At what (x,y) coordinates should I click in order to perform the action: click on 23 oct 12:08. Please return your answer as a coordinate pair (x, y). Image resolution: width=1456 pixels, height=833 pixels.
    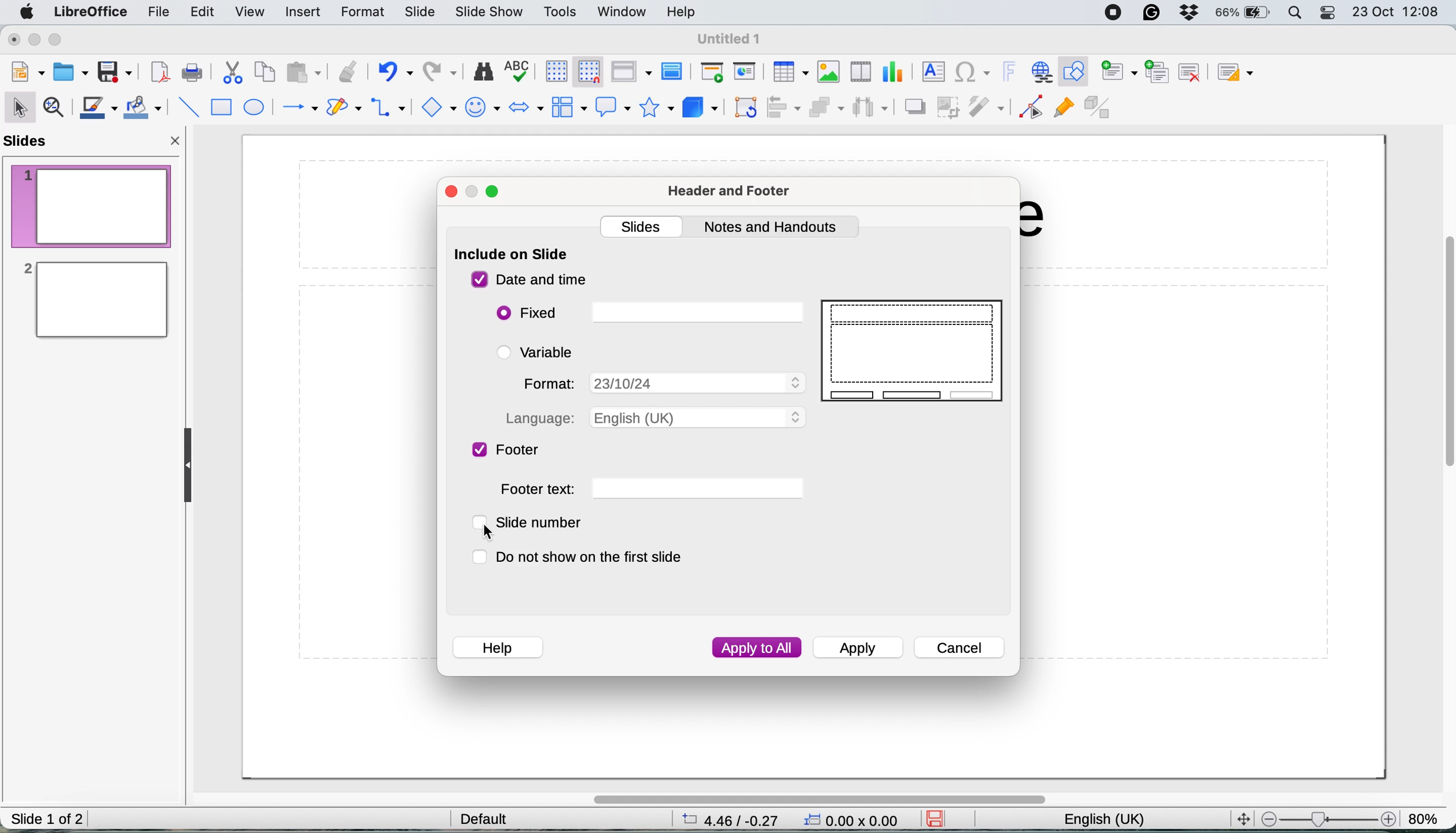
    Looking at the image, I should click on (1394, 13).